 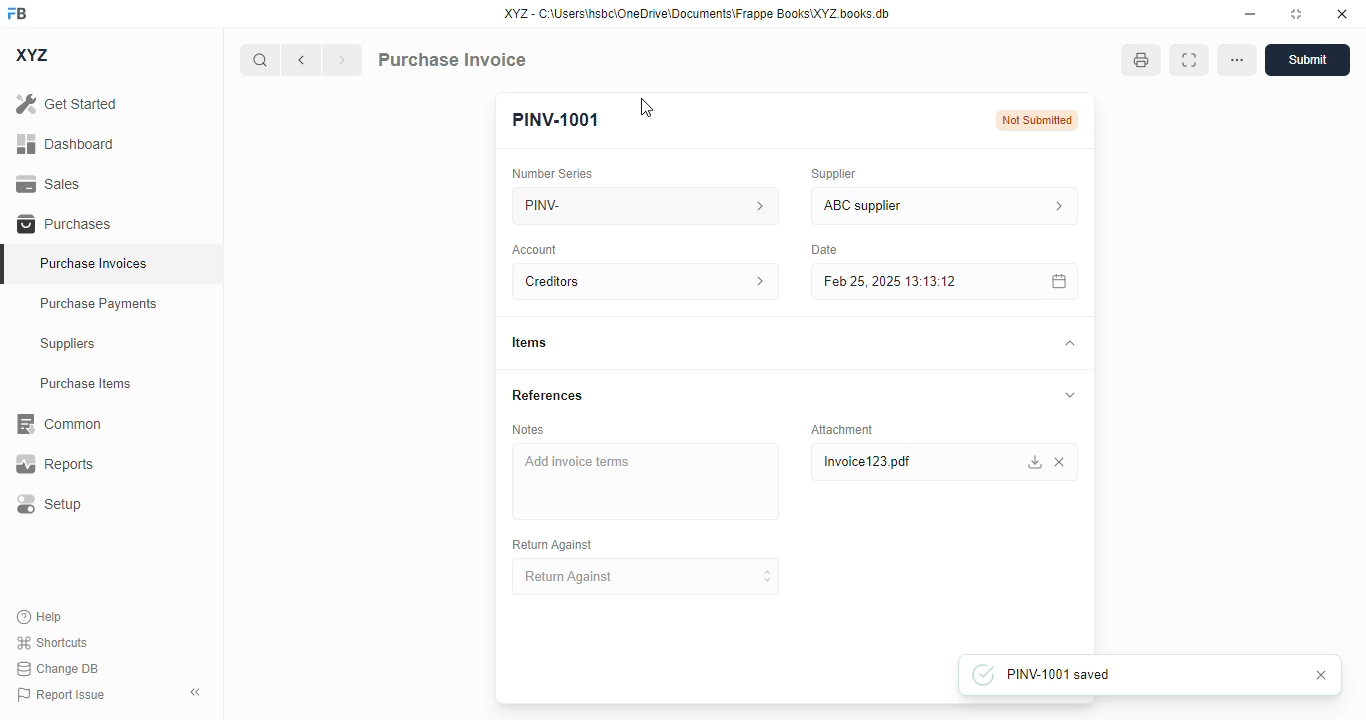 I want to click on calendar icon, so click(x=1055, y=281).